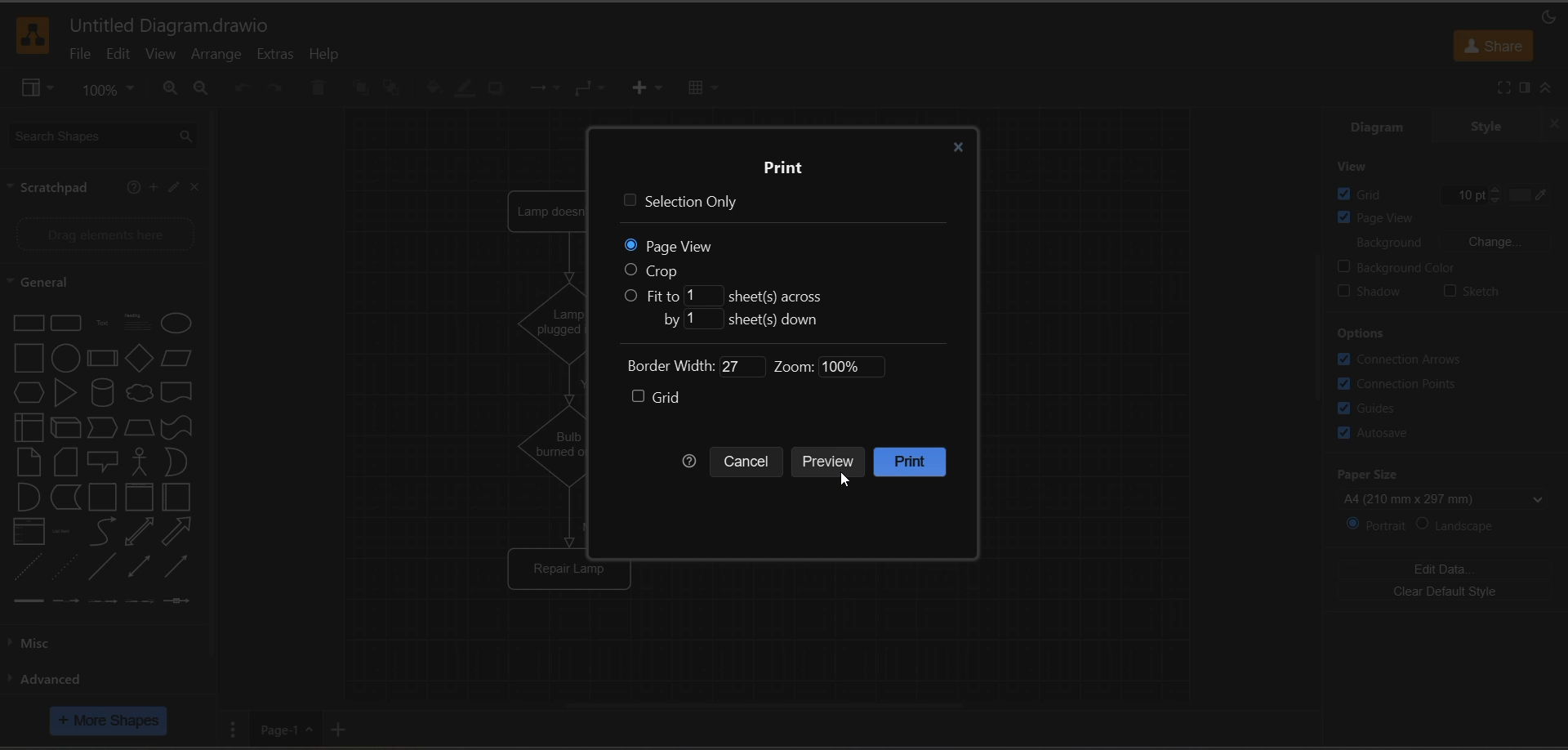 This screenshot has width=1568, height=750. What do you see at coordinates (214, 57) in the screenshot?
I see `arrange` at bounding box center [214, 57].